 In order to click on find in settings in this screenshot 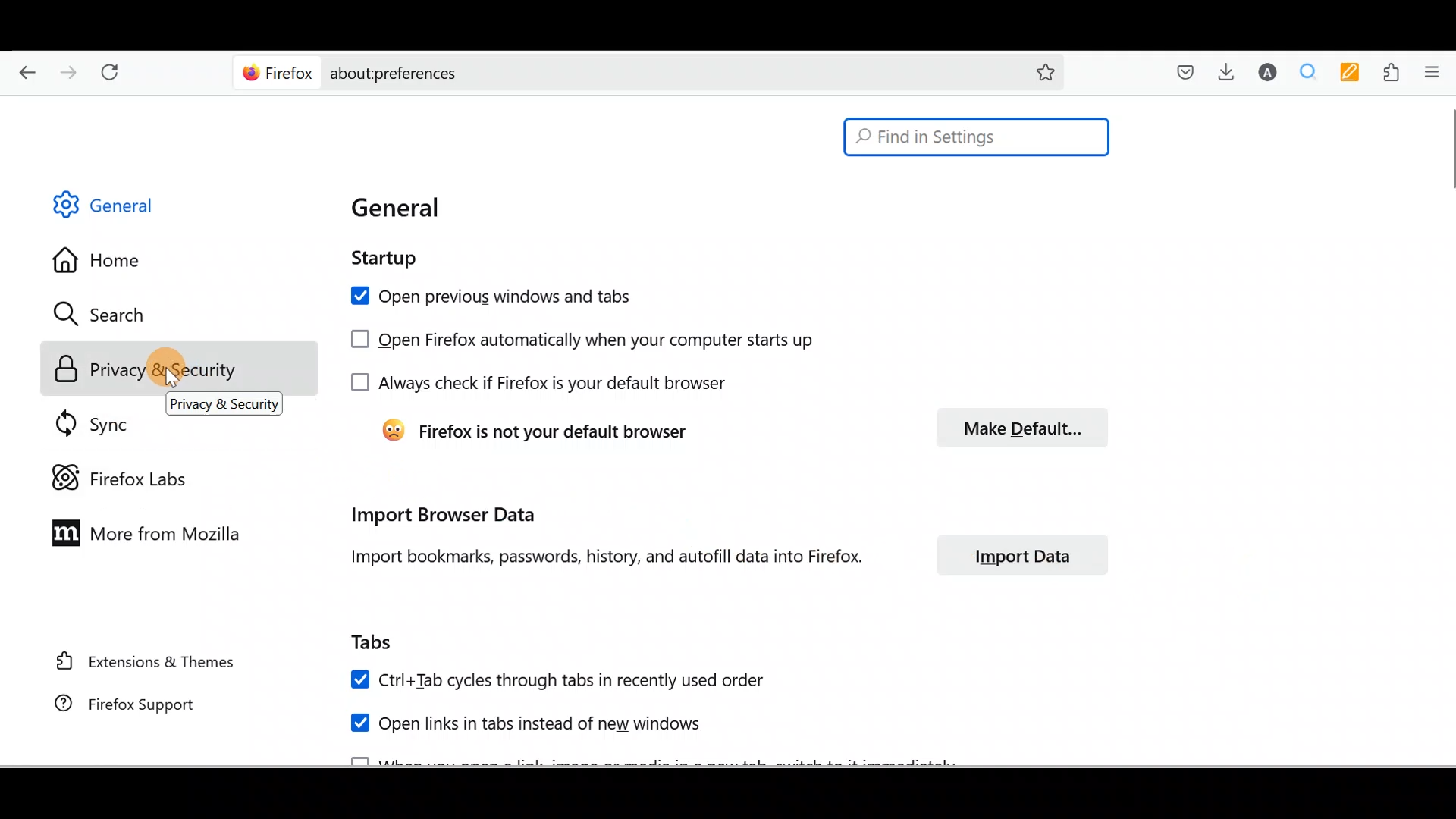, I will do `click(974, 136)`.